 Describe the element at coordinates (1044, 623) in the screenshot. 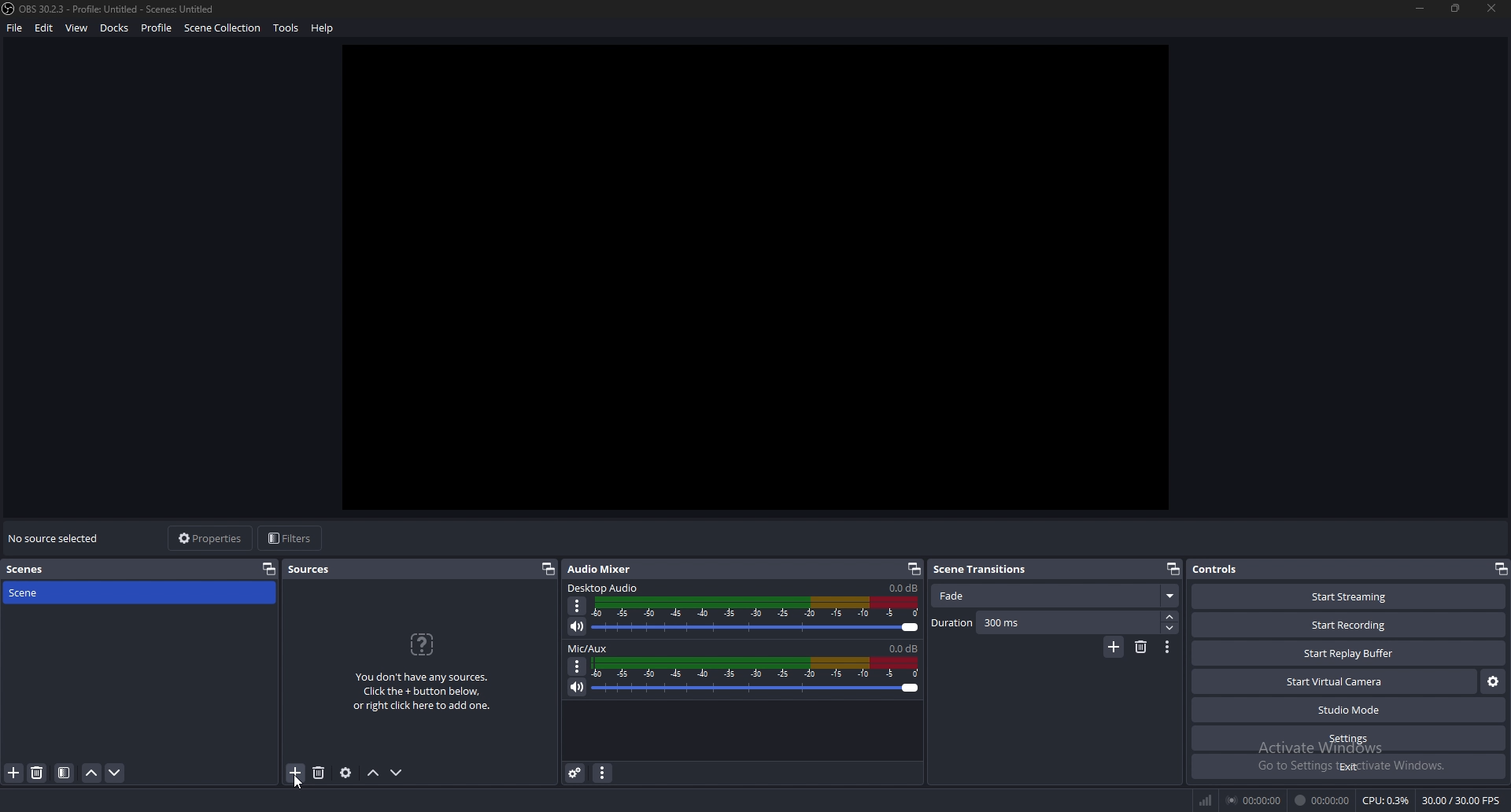

I see `duration` at that location.